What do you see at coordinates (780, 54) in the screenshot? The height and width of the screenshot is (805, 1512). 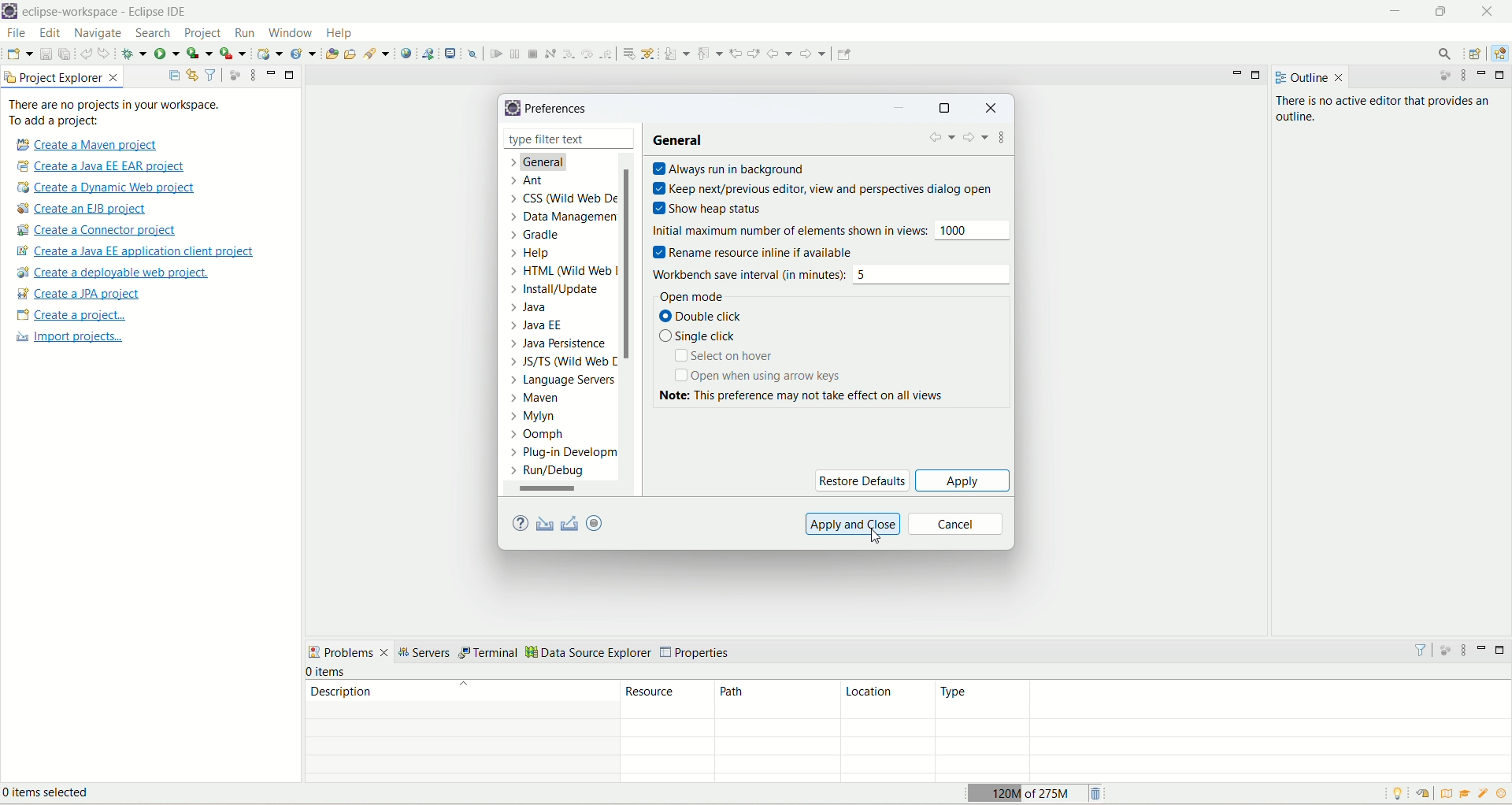 I see `back` at bounding box center [780, 54].